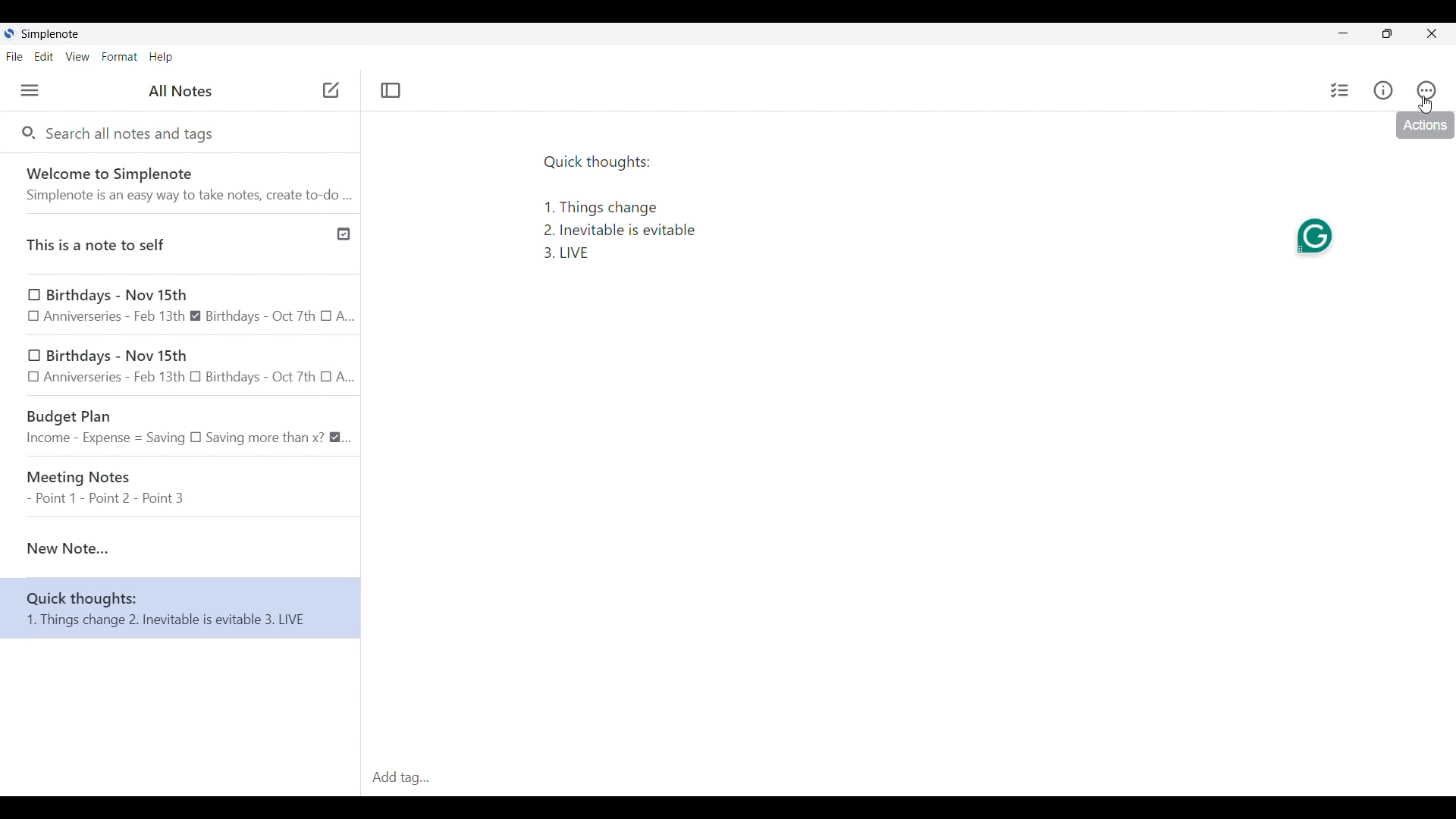 The image size is (1456, 819). Describe the element at coordinates (329, 89) in the screenshot. I see `cursor` at that location.